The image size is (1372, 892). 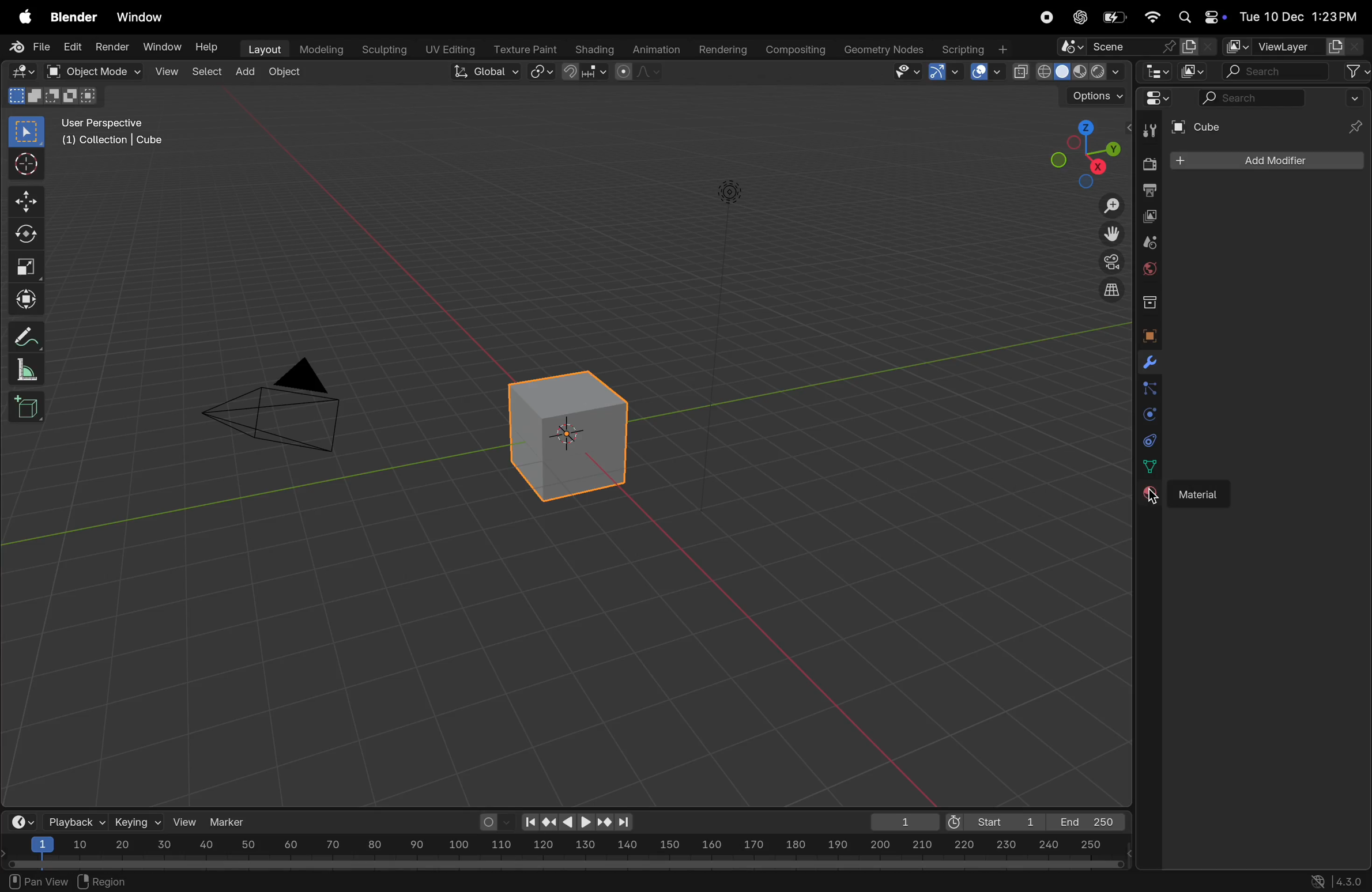 What do you see at coordinates (165, 71) in the screenshot?
I see `View` at bounding box center [165, 71].